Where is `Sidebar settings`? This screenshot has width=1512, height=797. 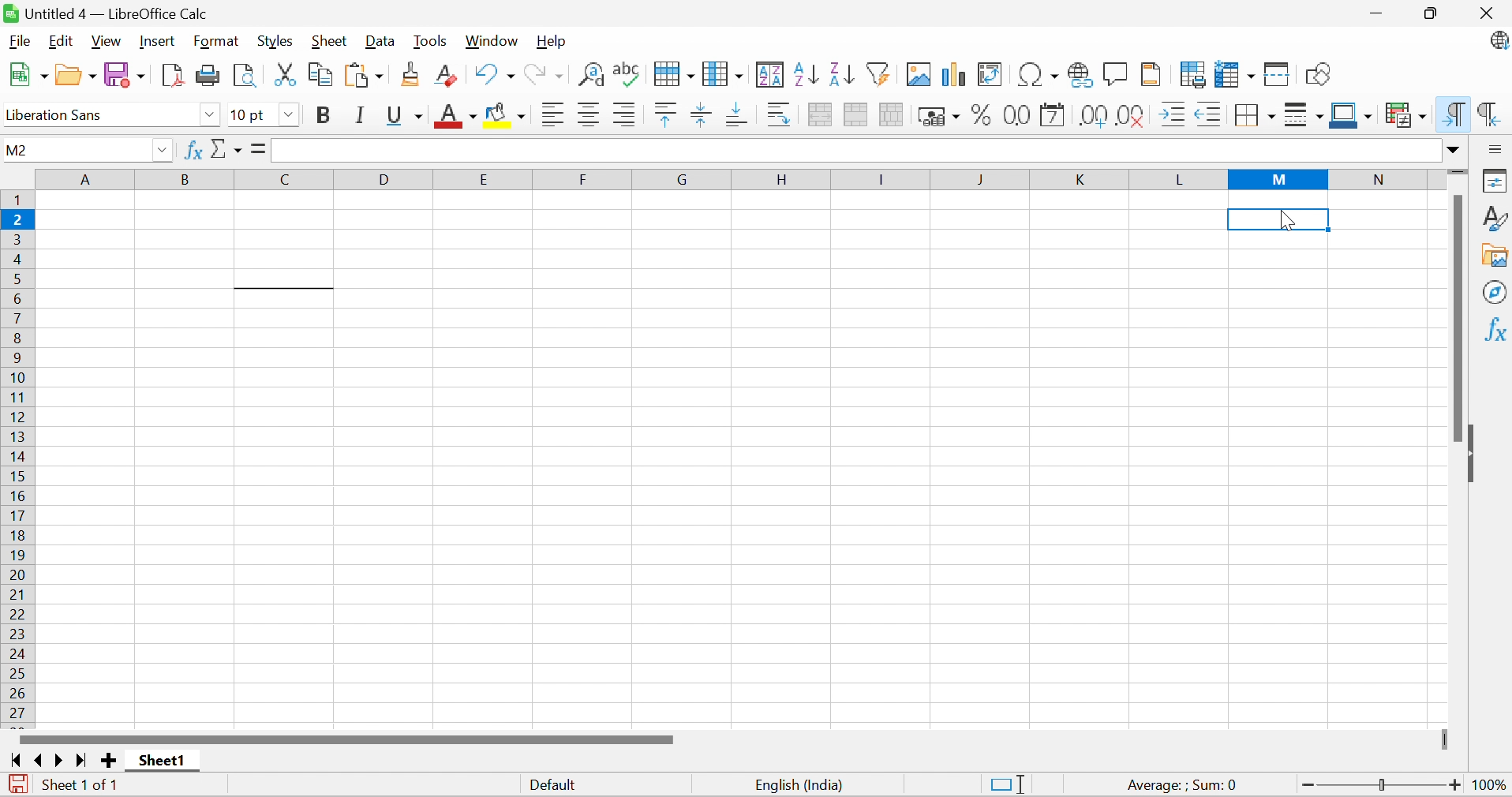
Sidebar settings is located at coordinates (1497, 148).